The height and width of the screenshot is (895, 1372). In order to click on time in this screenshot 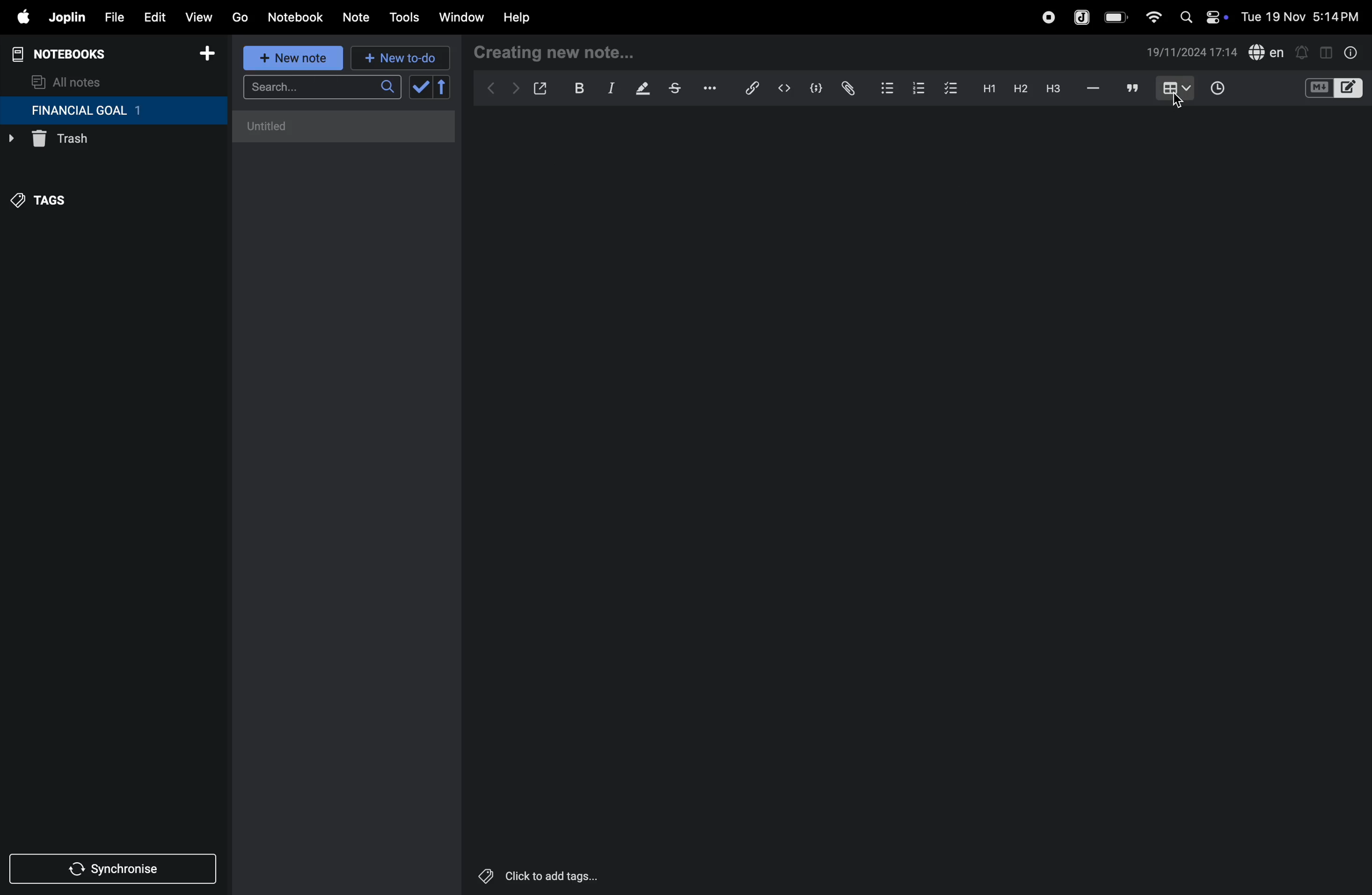, I will do `click(1225, 89)`.